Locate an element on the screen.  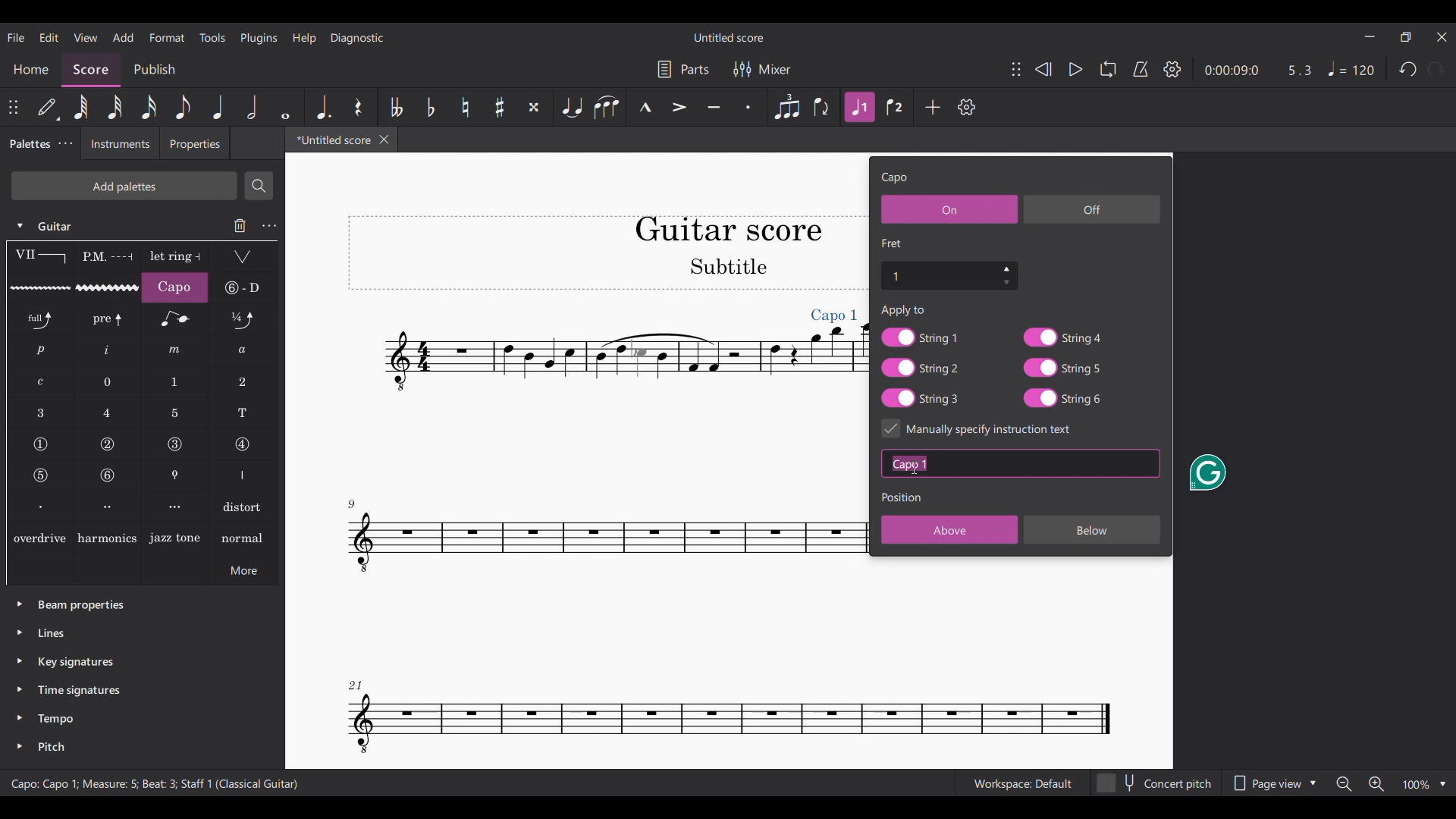
Right hand fingering, second finger is located at coordinates (108, 507).